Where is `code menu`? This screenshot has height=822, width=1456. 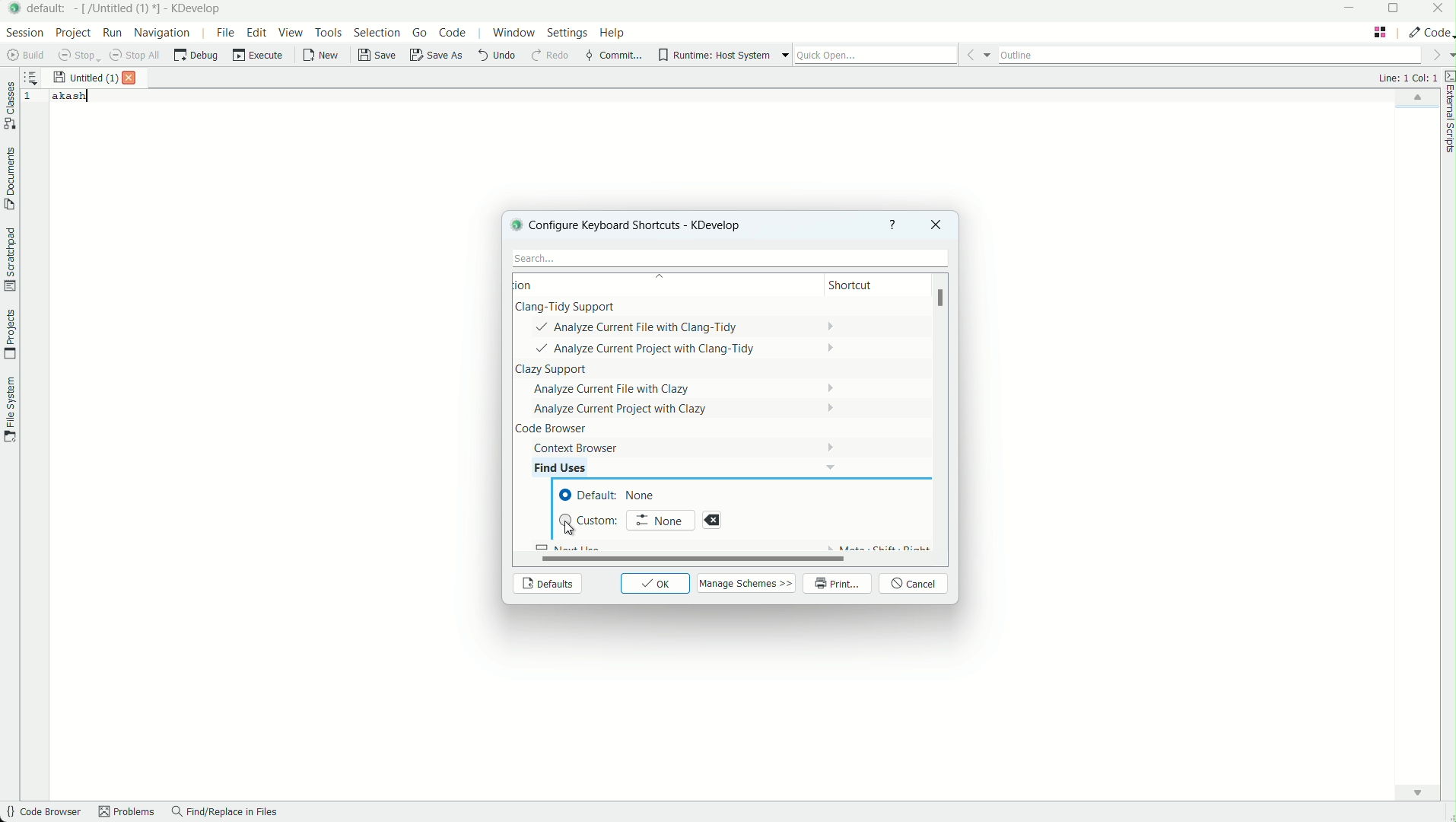 code menu is located at coordinates (453, 33).